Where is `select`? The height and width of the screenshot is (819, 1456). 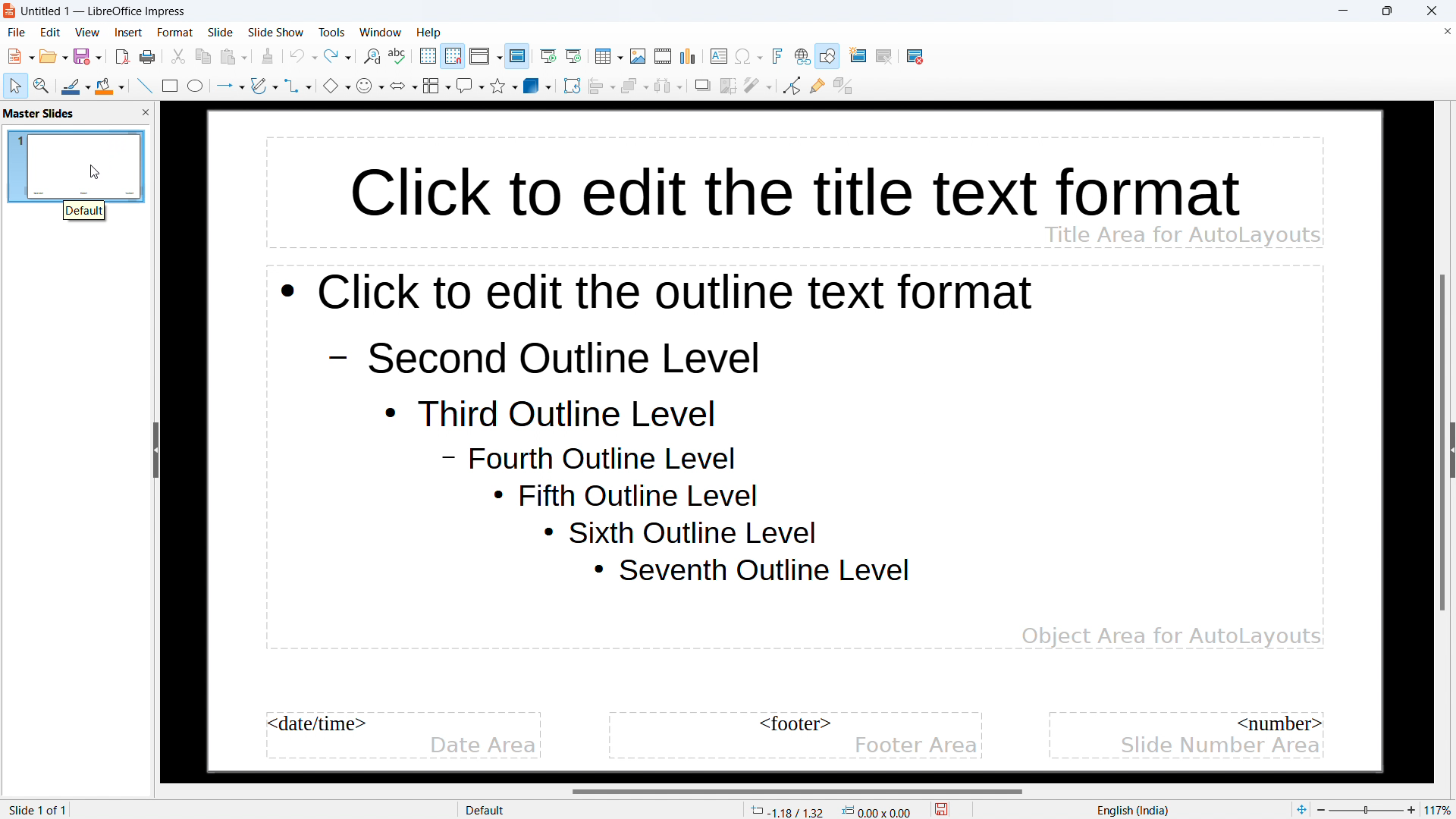
select is located at coordinates (17, 86).